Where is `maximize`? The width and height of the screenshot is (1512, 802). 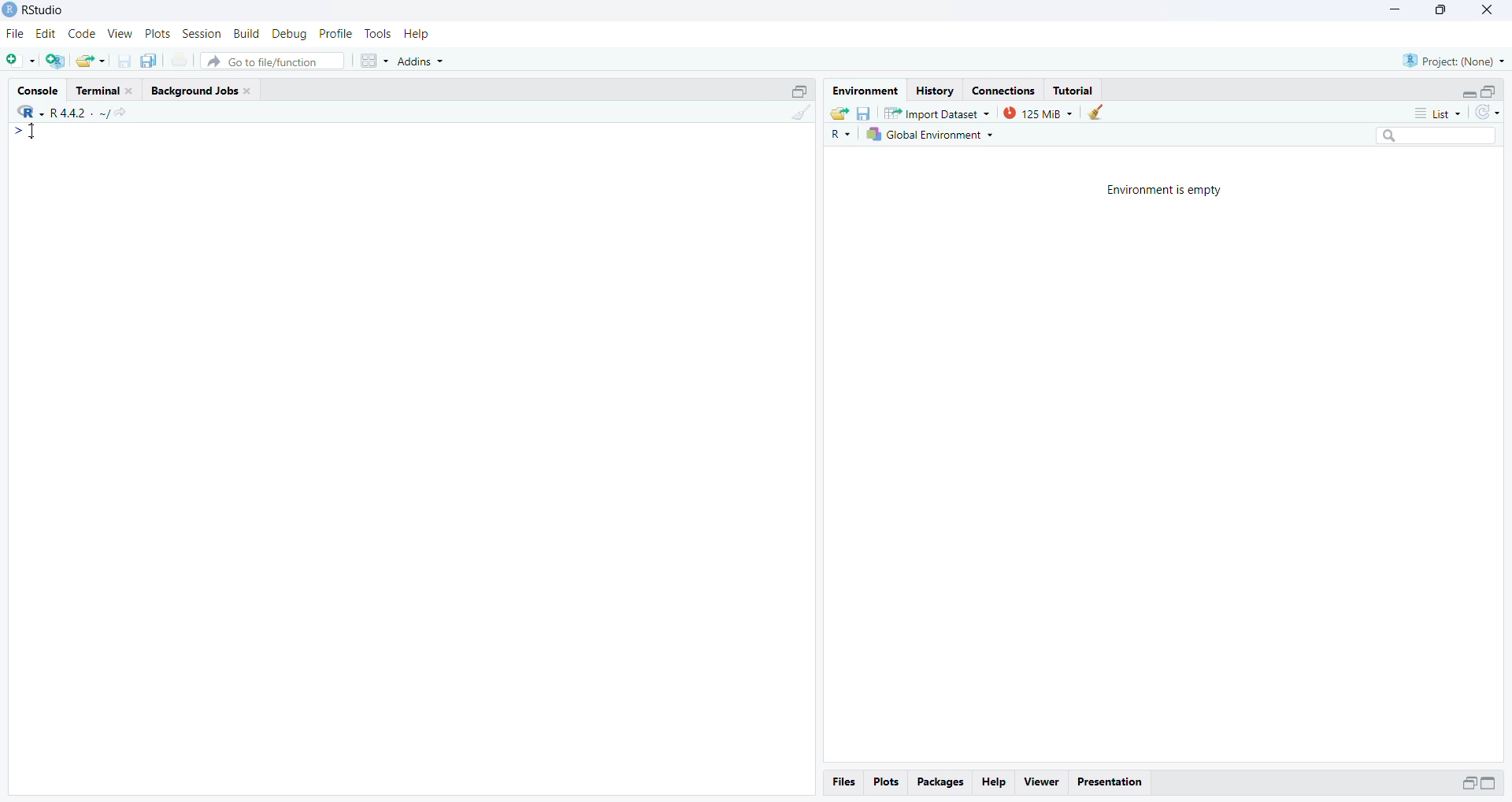 maximize is located at coordinates (1489, 92).